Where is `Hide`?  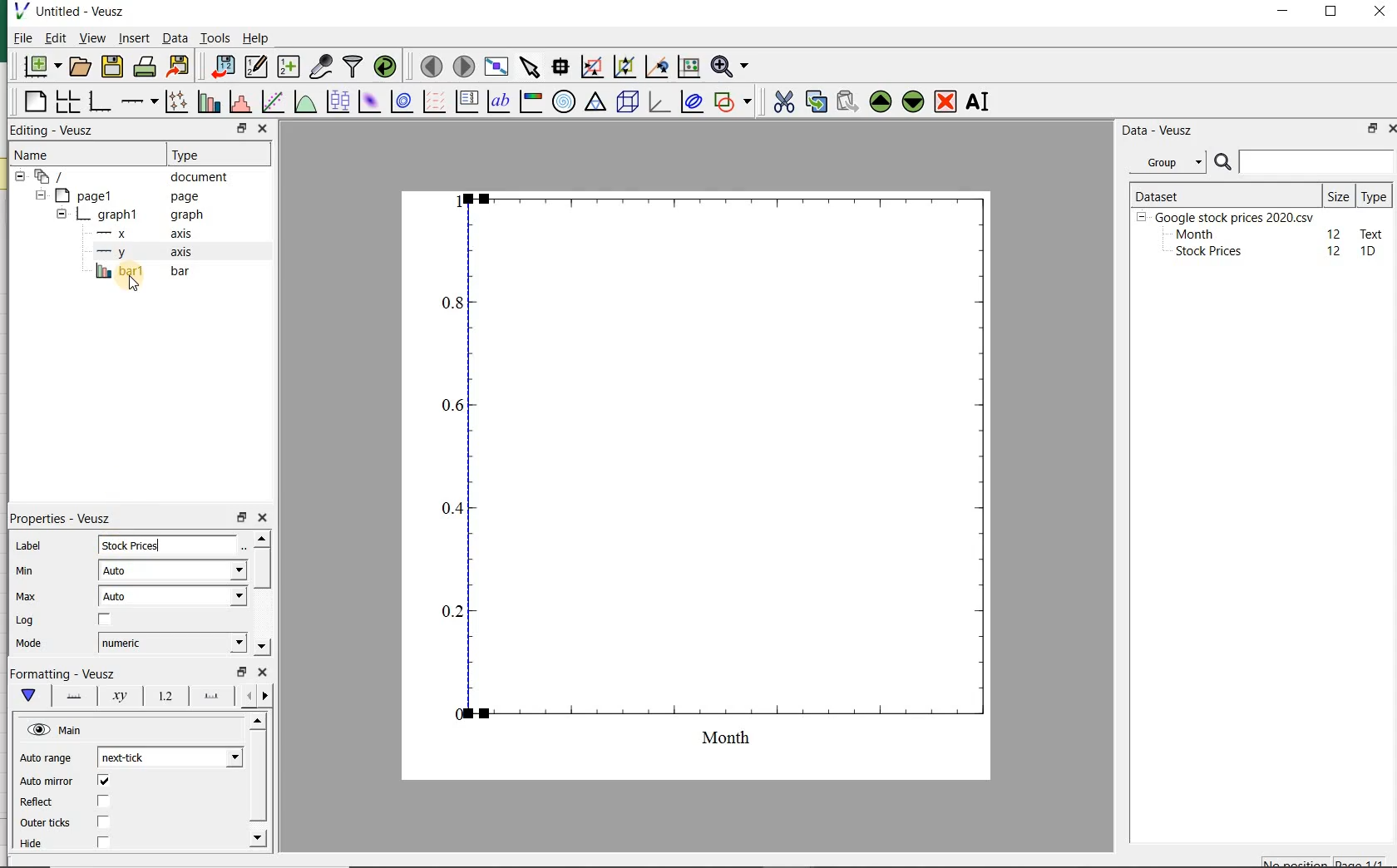
Hide is located at coordinates (35, 847).